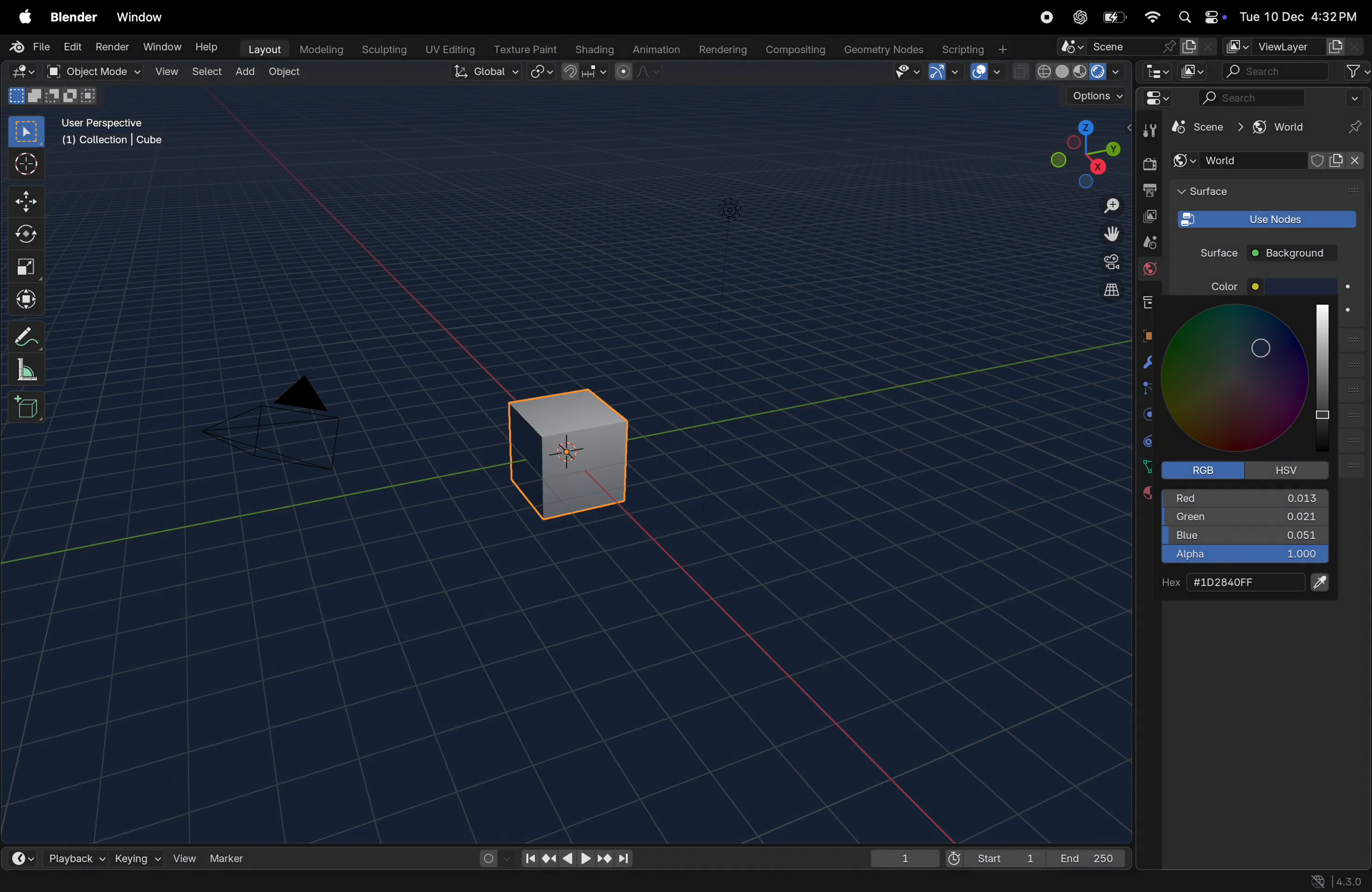  What do you see at coordinates (1195, 71) in the screenshot?
I see `image` at bounding box center [1195, 71].